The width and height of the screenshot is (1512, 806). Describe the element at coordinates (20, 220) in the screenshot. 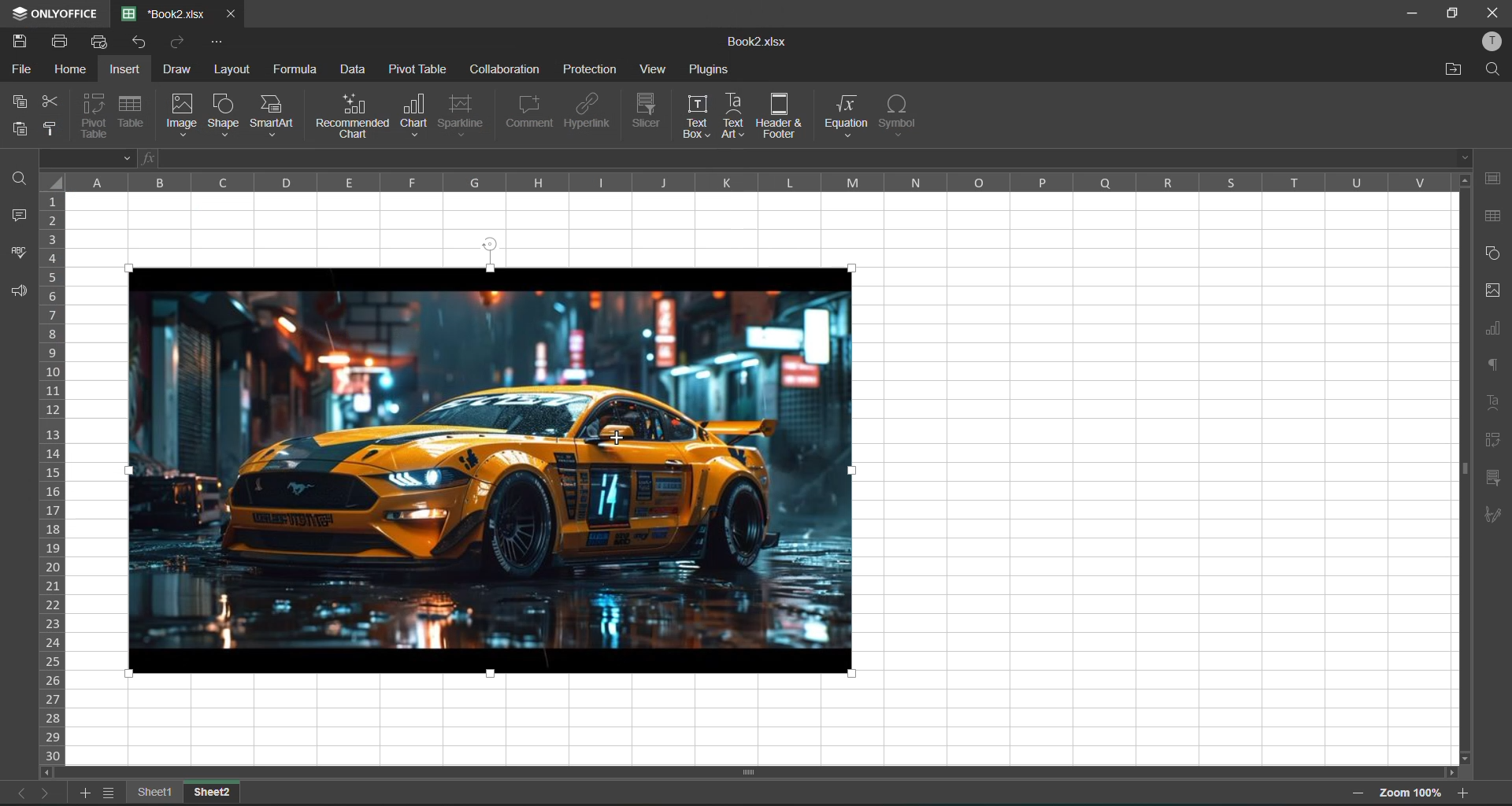

I see `comments` at that location.